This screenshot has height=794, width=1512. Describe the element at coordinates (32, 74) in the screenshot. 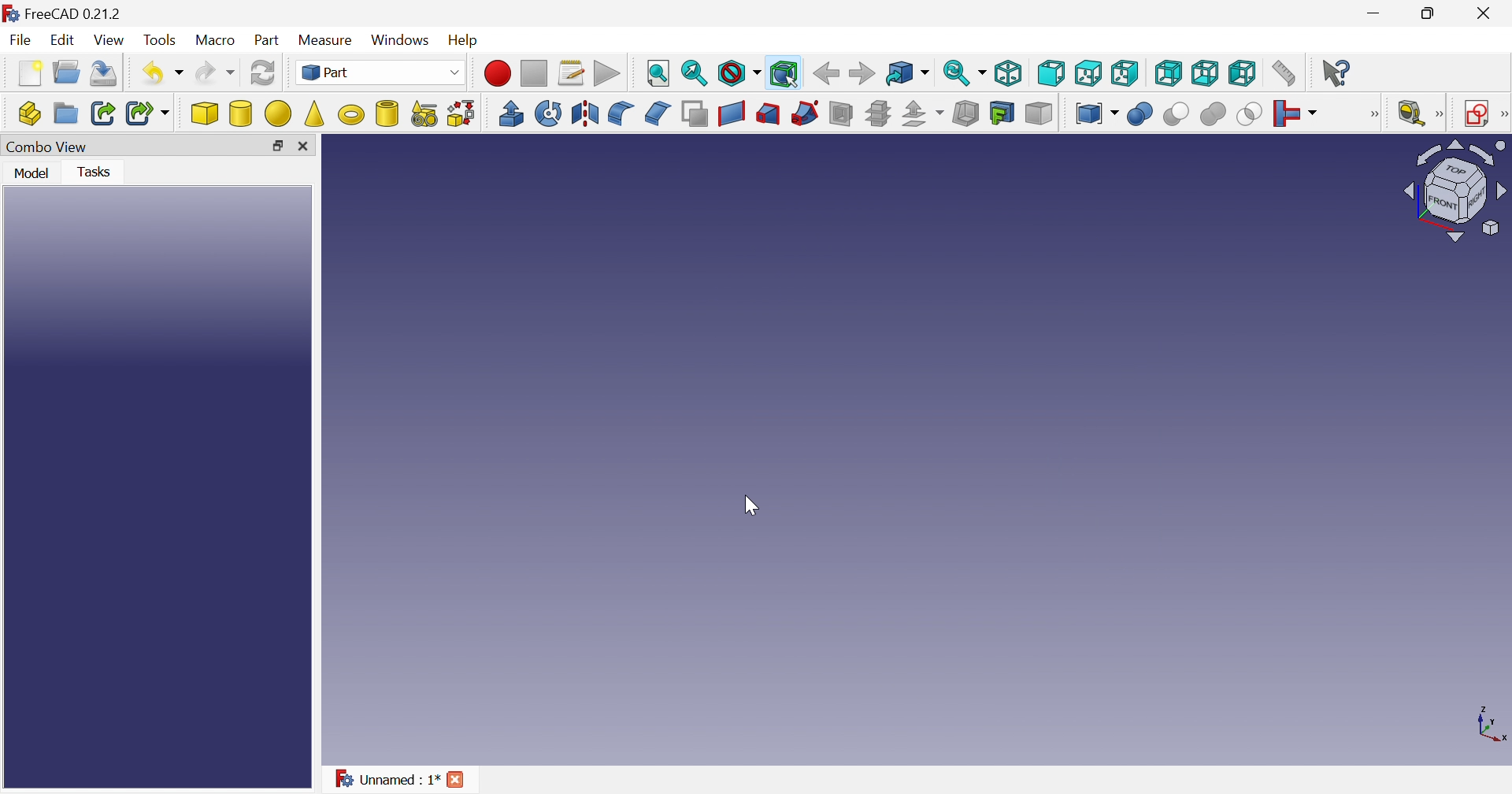

I see `New` at that location.